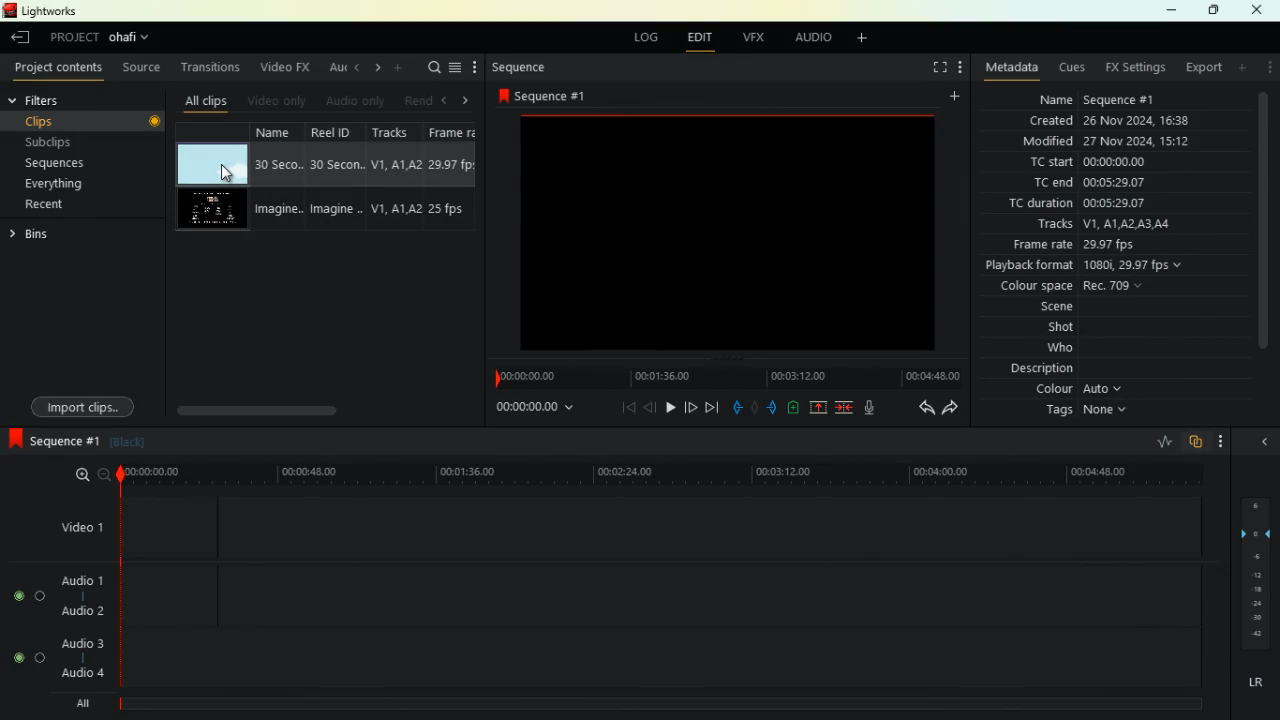  Describe the element at coordinates (1261, 573) in the screenshot. I see `layers` at that location.